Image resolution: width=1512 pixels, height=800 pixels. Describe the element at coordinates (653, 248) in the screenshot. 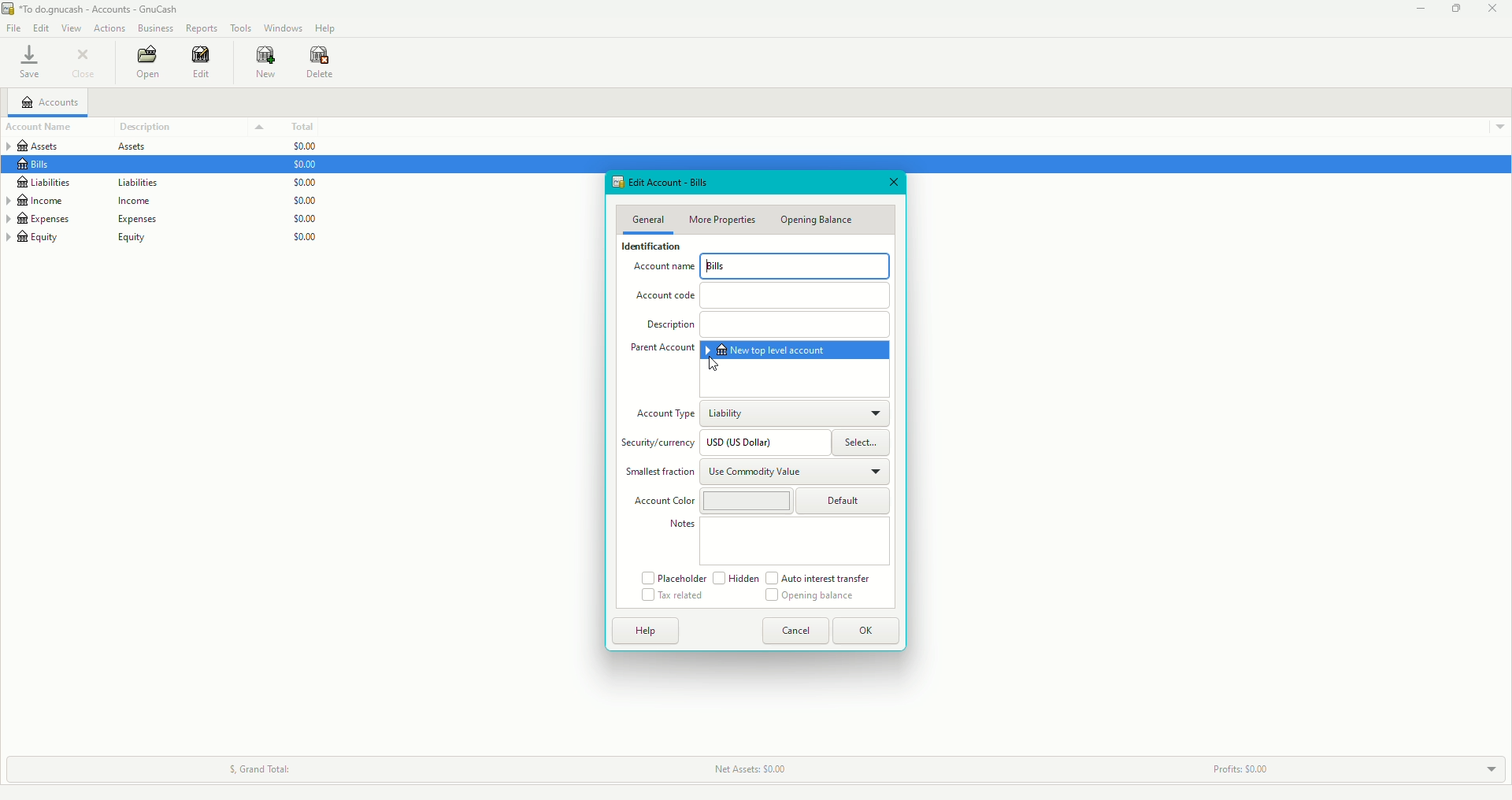

I see `Identification` at that location.